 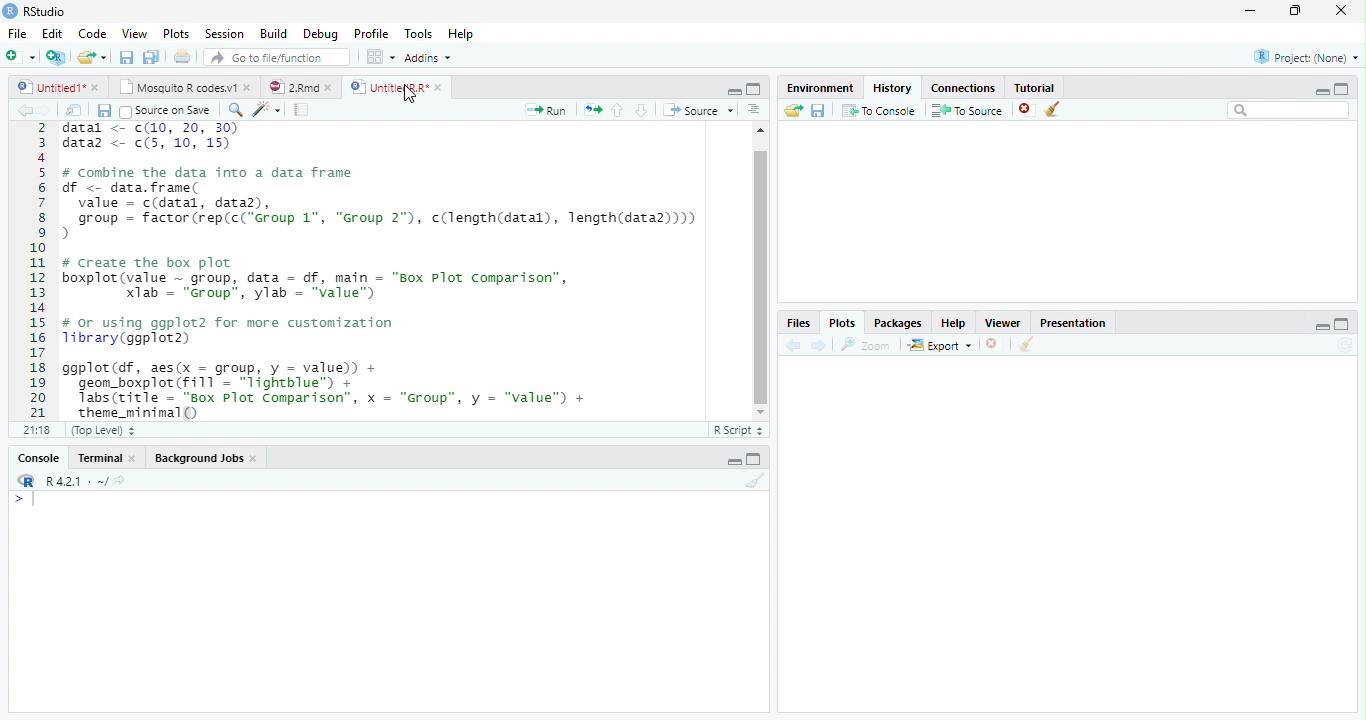 What do you see at coordinates (199, 457) in the screenshot?
I see `Background Jobs` at bounding box center [199, 457].